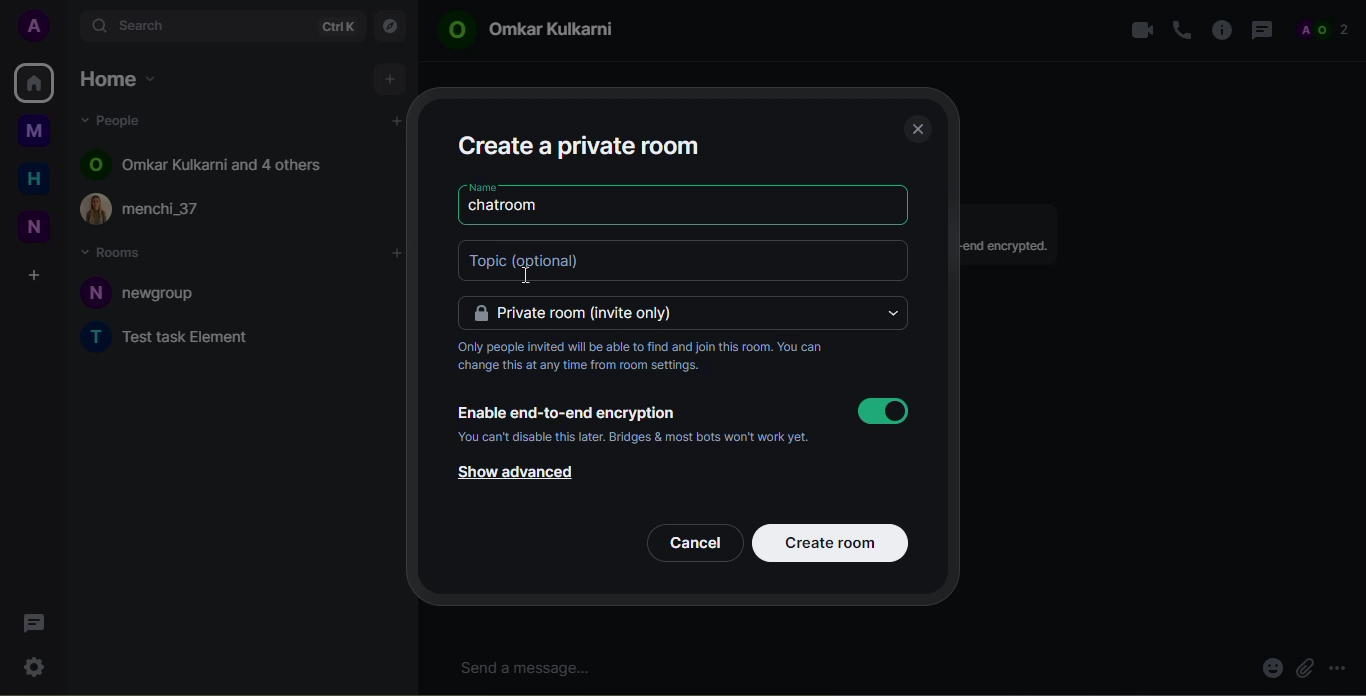  Describe the element at coordinates (1270, 670) in the screenshot. I see `emoji` at that location.